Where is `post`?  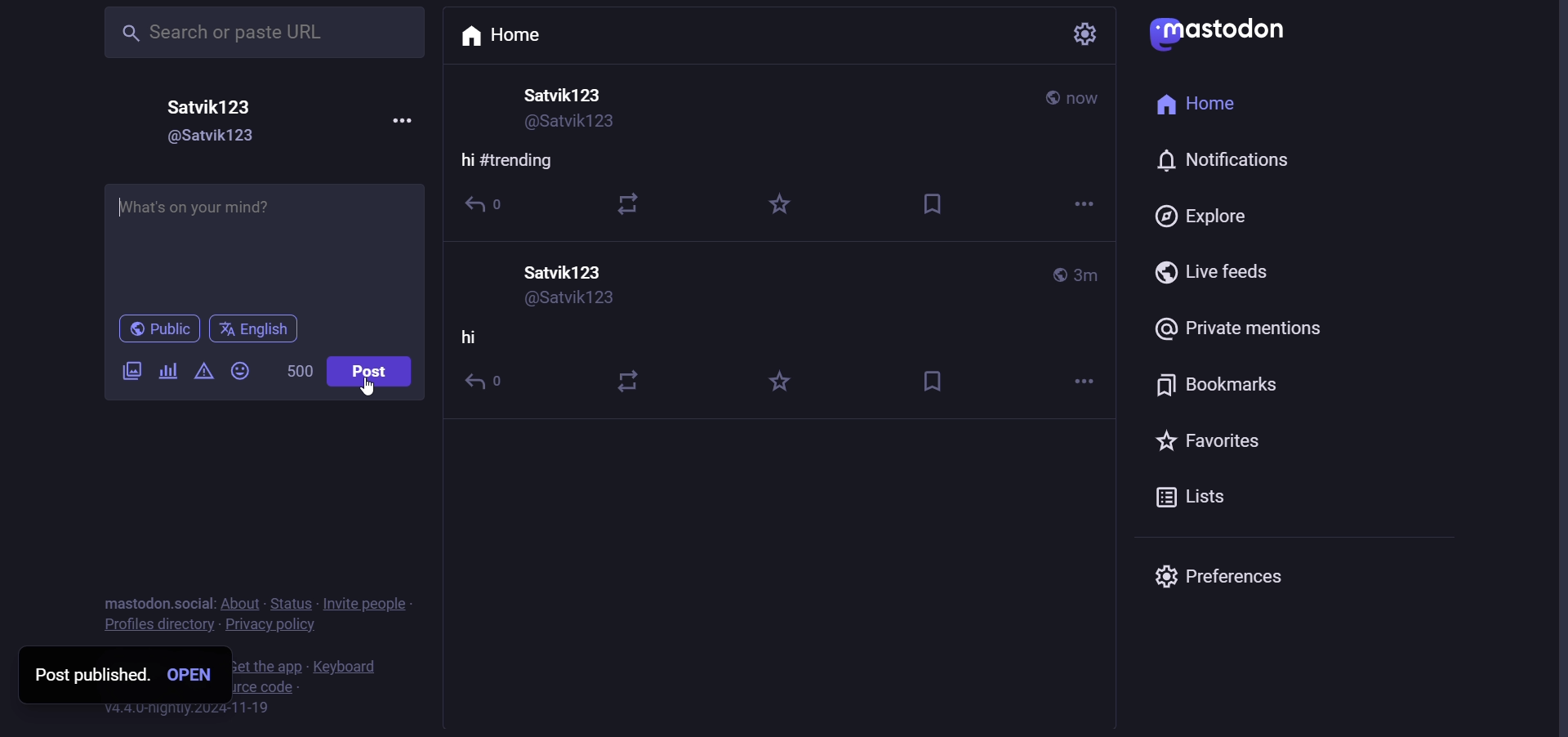 post is located at coordinates (373, 373).